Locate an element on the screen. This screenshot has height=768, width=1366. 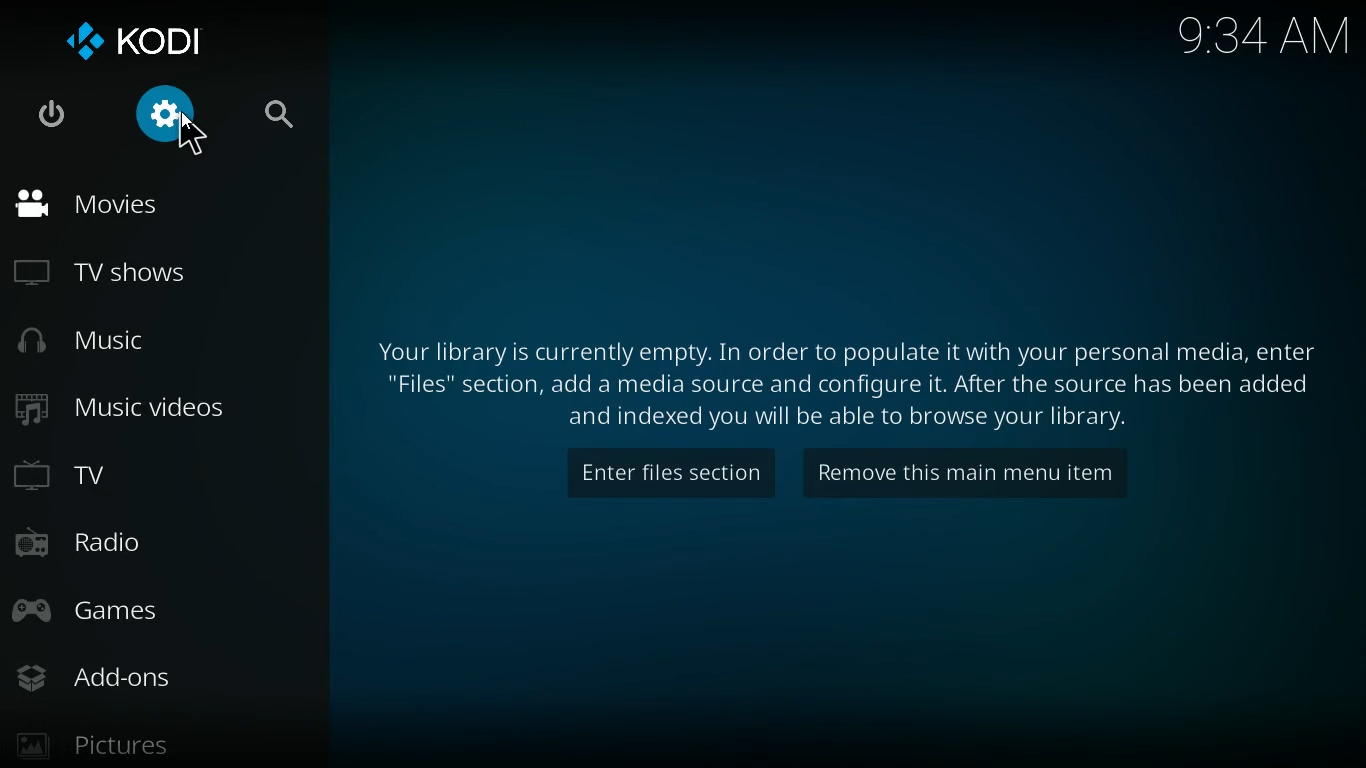
radio is located at coordinates (131, 535).